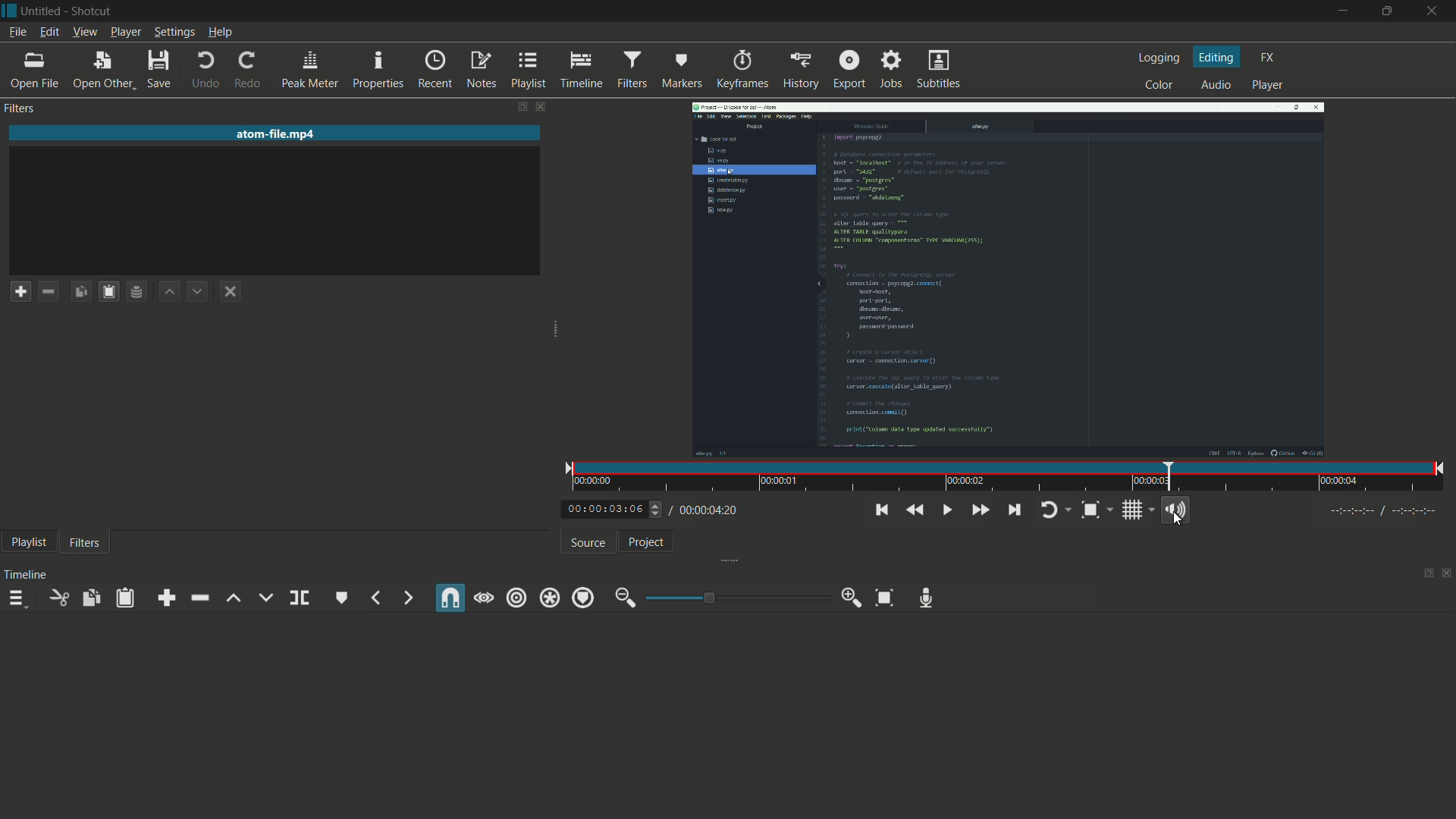  Describe the element at coordinates (914, 510) in the screenshot. I see `quickly play backward` at that location.